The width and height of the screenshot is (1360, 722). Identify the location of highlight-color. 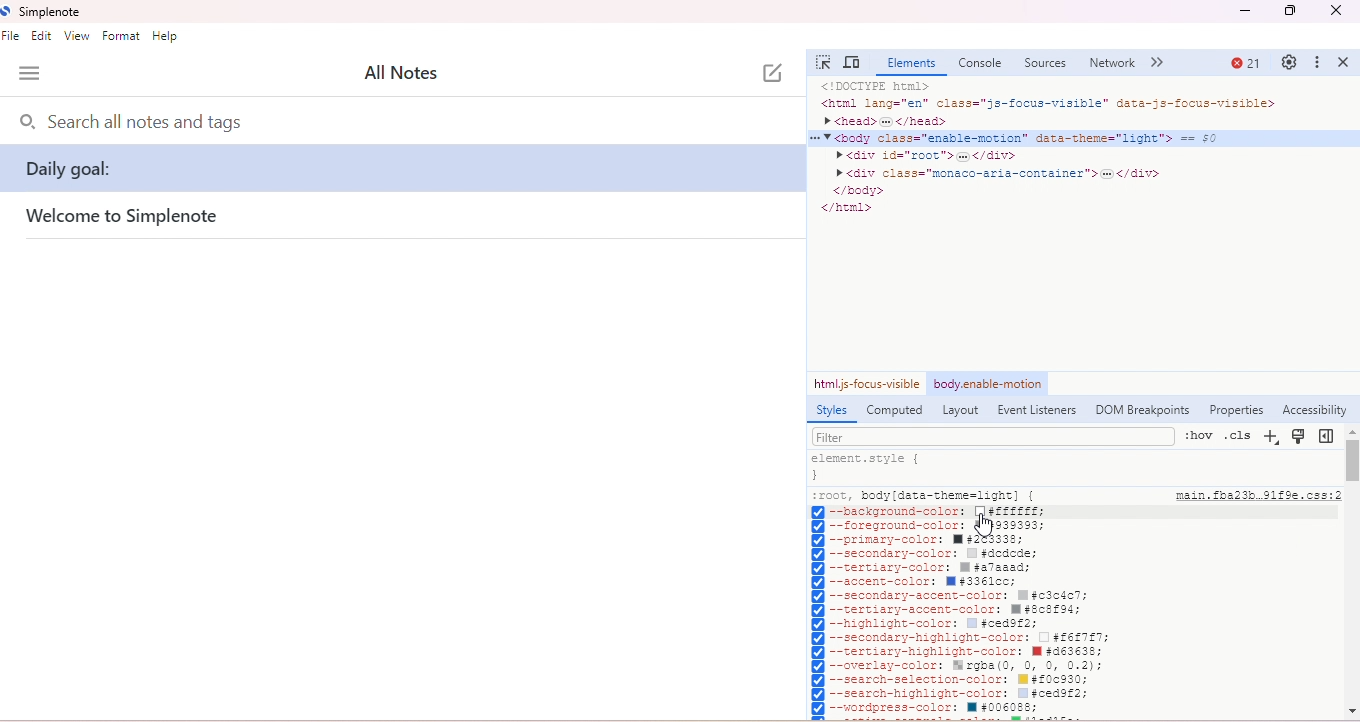
(934, 625).